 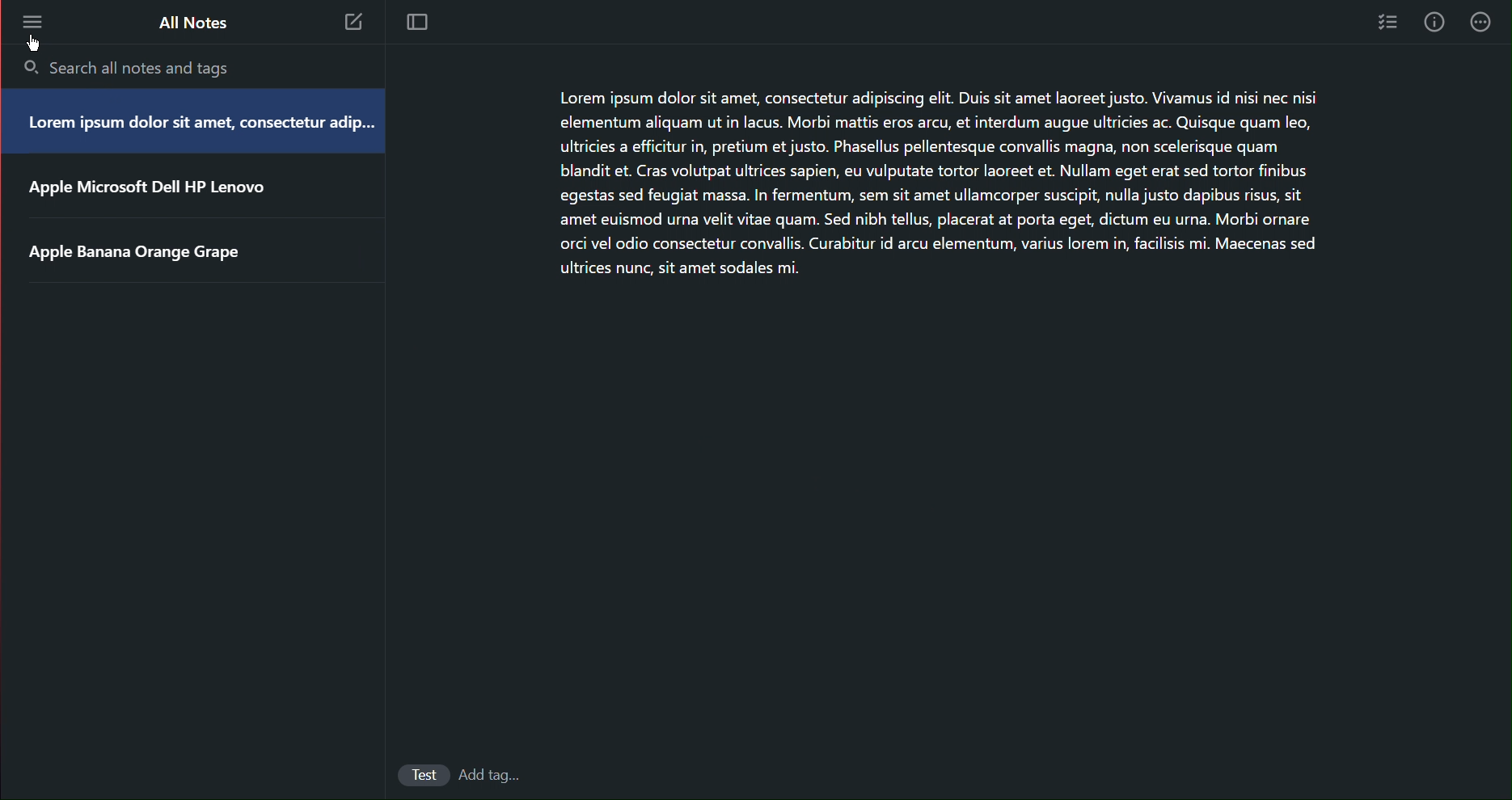 I want to click on More, so click(x=1483, y=23).